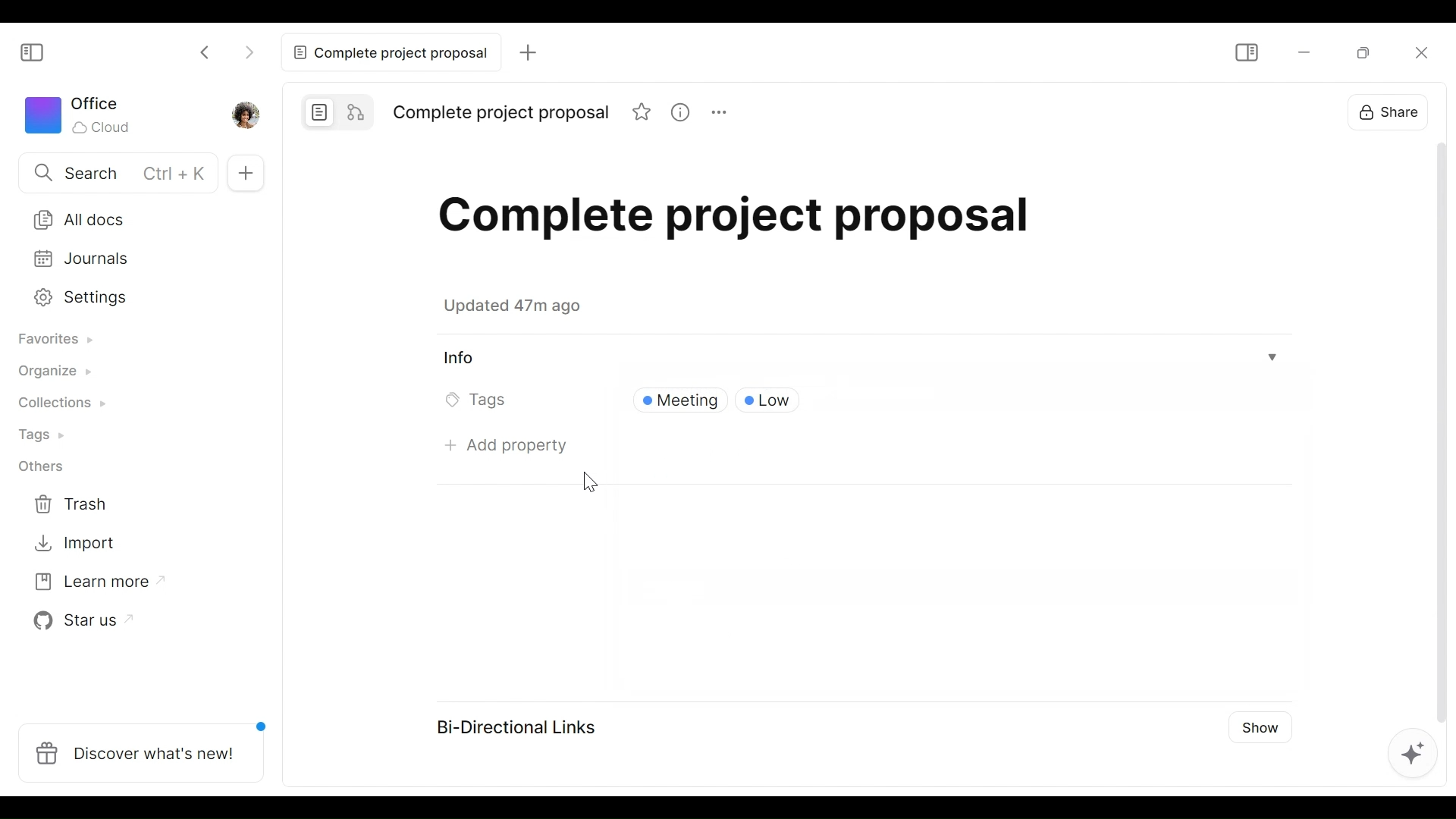 Image resolution: width=1456 pixels, height=819 pixels. Describe the element at coordinates (758, 224) in the screenshot. I see `Title` at that location.